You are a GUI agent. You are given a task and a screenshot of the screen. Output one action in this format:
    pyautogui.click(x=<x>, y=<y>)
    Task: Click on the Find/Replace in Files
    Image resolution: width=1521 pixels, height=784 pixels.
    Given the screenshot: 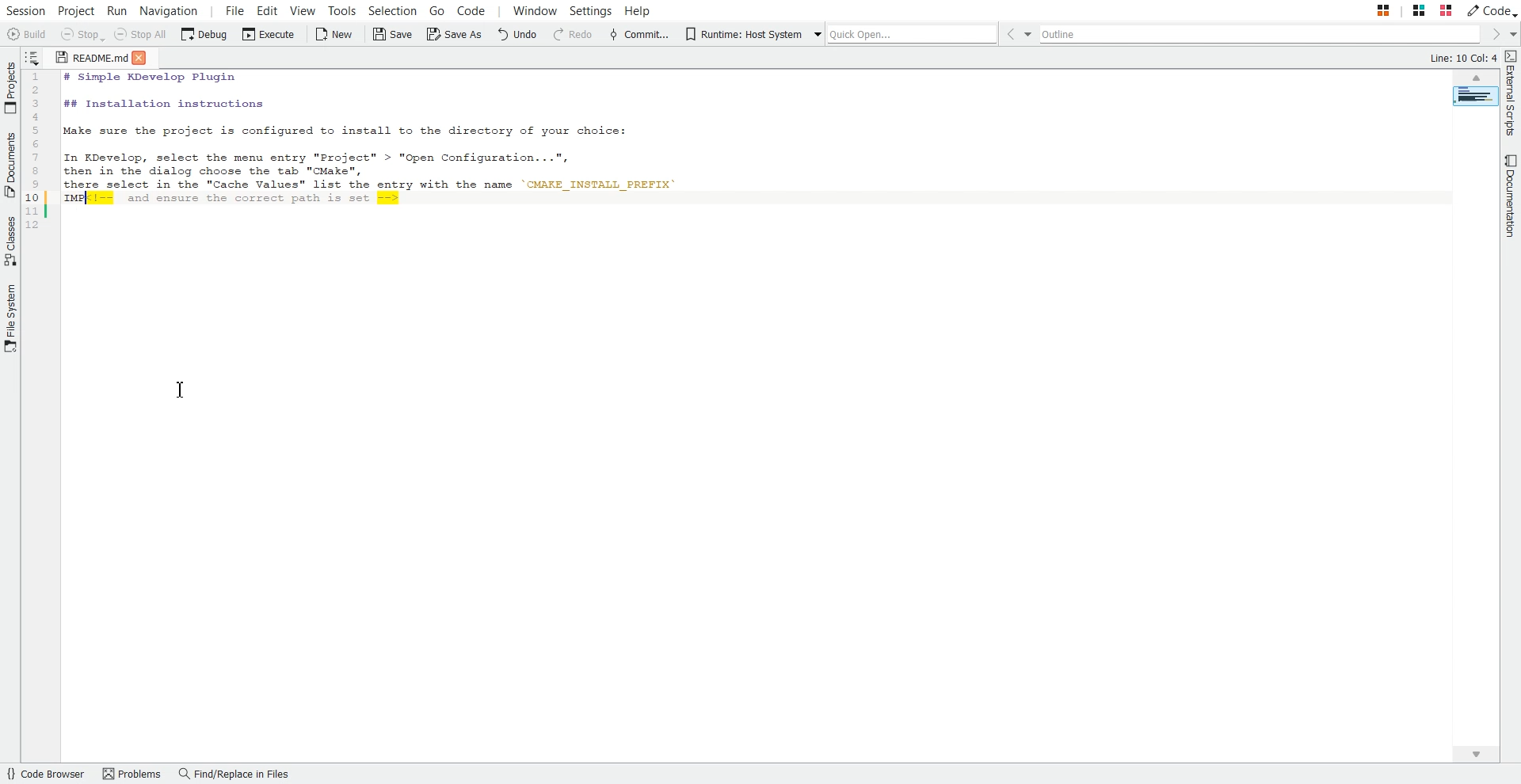 What is the action you would take?
    pyautogui.click(x=235, y=774)
    